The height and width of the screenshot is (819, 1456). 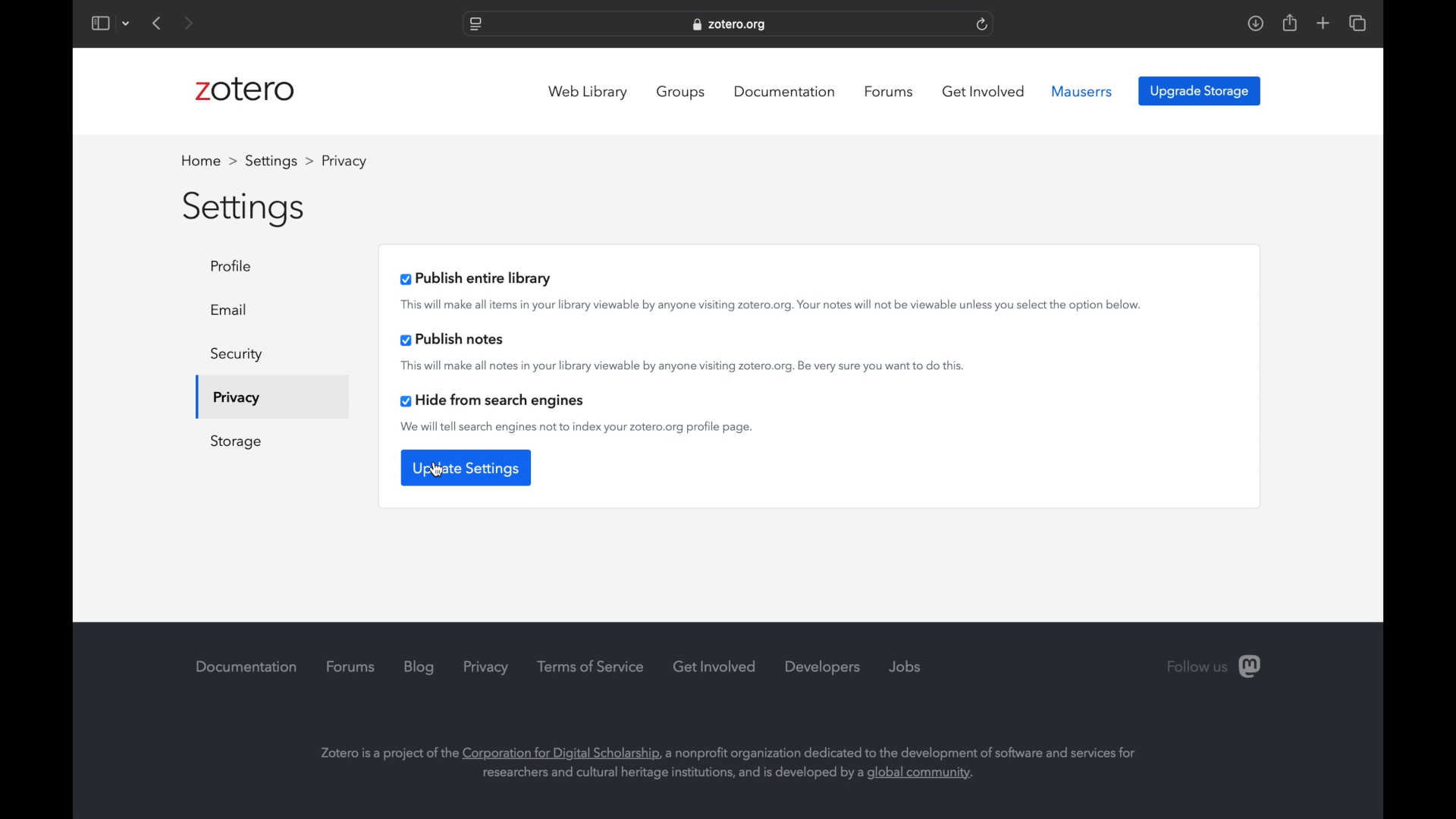 I want to click on this will make all notes in your library viewable by anyone visiting, so click(x=682, y=366).